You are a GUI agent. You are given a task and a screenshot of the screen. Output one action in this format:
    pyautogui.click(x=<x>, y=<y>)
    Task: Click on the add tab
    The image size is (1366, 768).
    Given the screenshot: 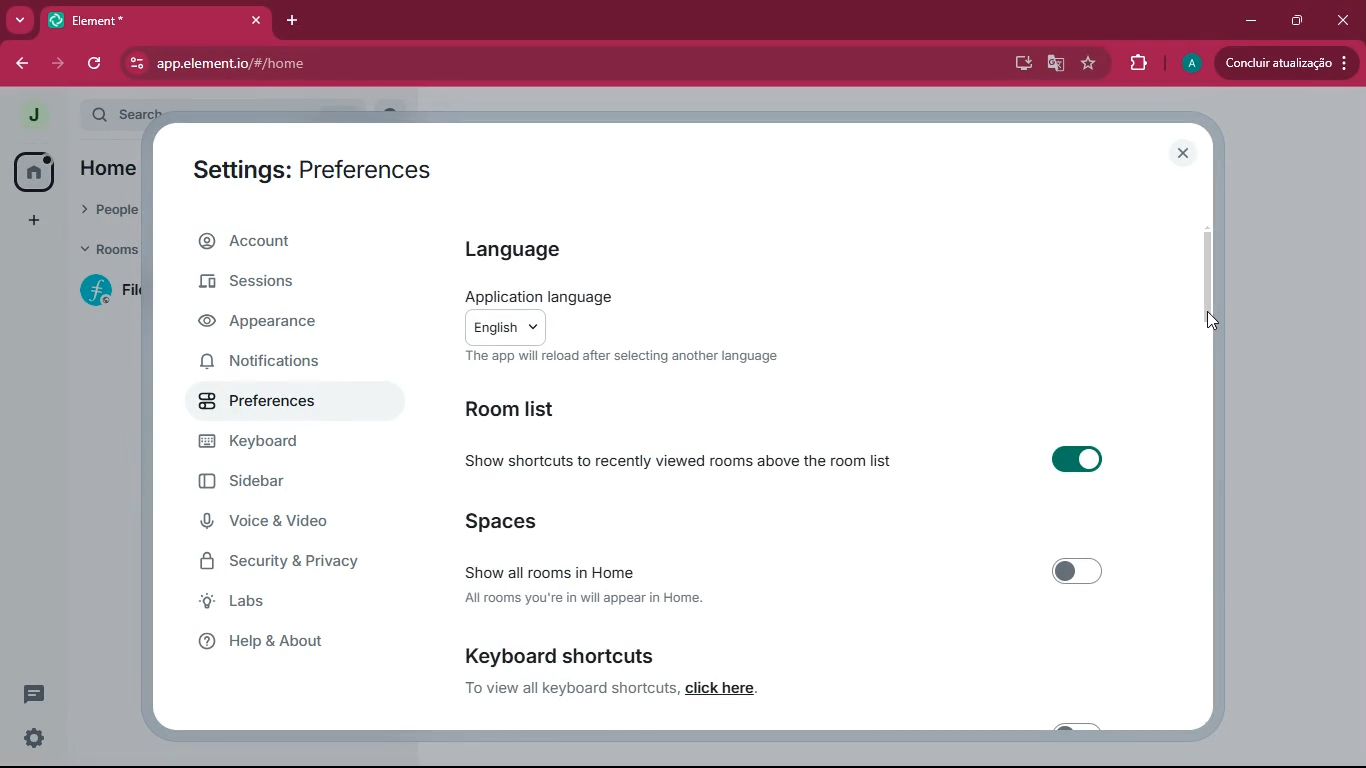 What is the action you would take?
    pyautogui.click(x=288, y=20)
    